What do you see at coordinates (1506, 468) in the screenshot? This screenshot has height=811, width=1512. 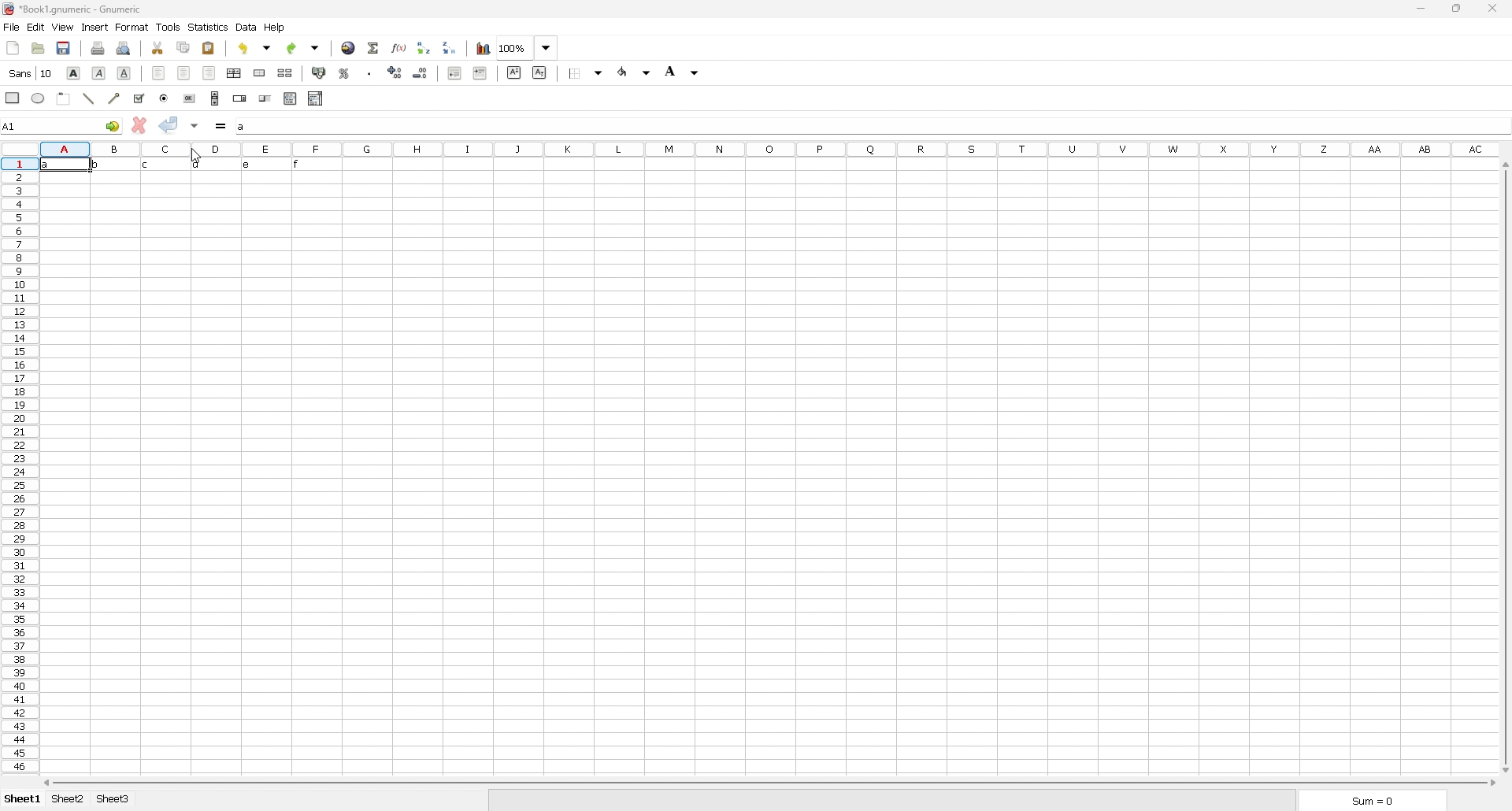 I see `scroll bar` at bounding box center [1506, 468].